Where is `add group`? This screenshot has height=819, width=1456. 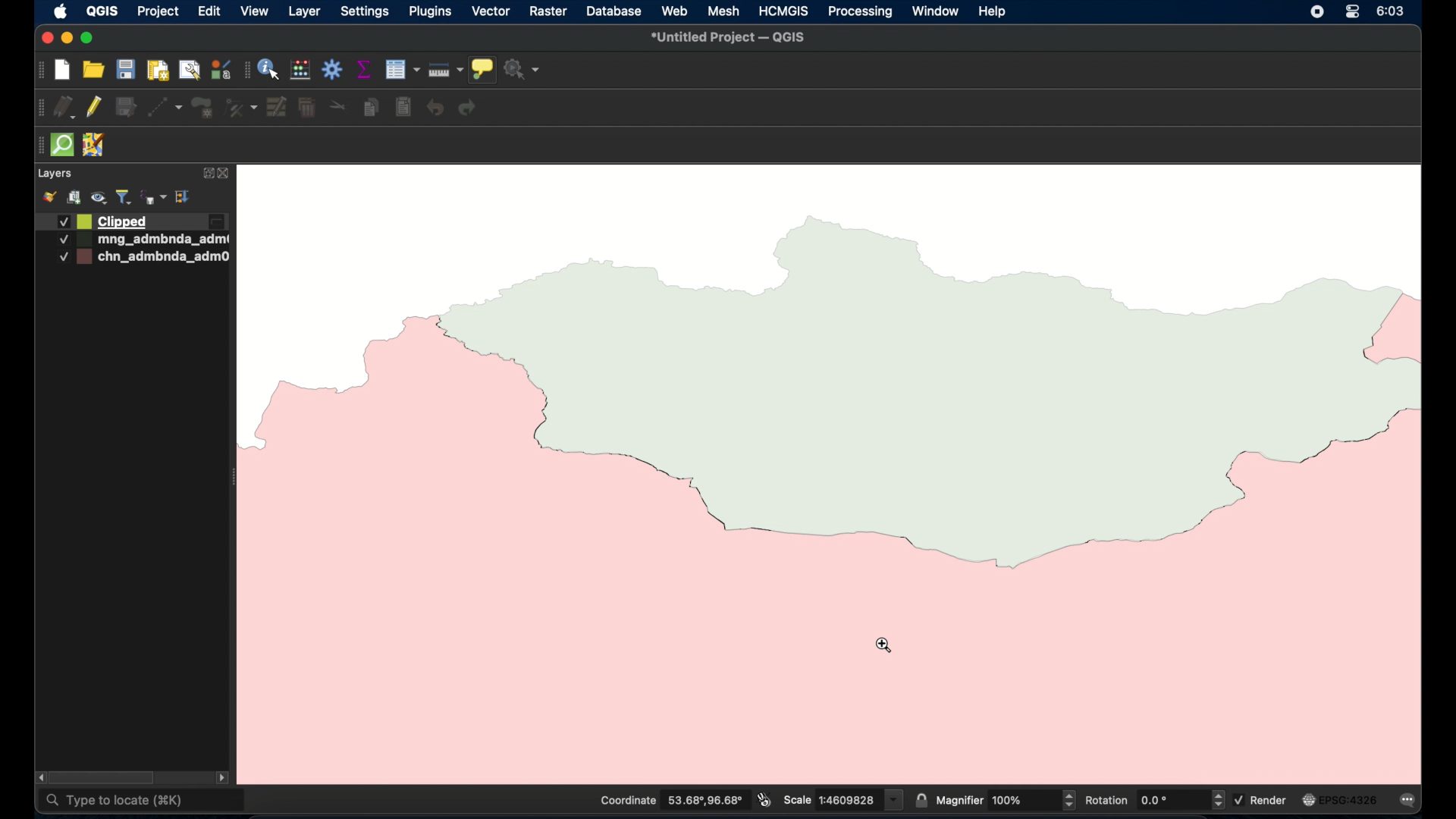
add group is located at coordinates (74, 197).